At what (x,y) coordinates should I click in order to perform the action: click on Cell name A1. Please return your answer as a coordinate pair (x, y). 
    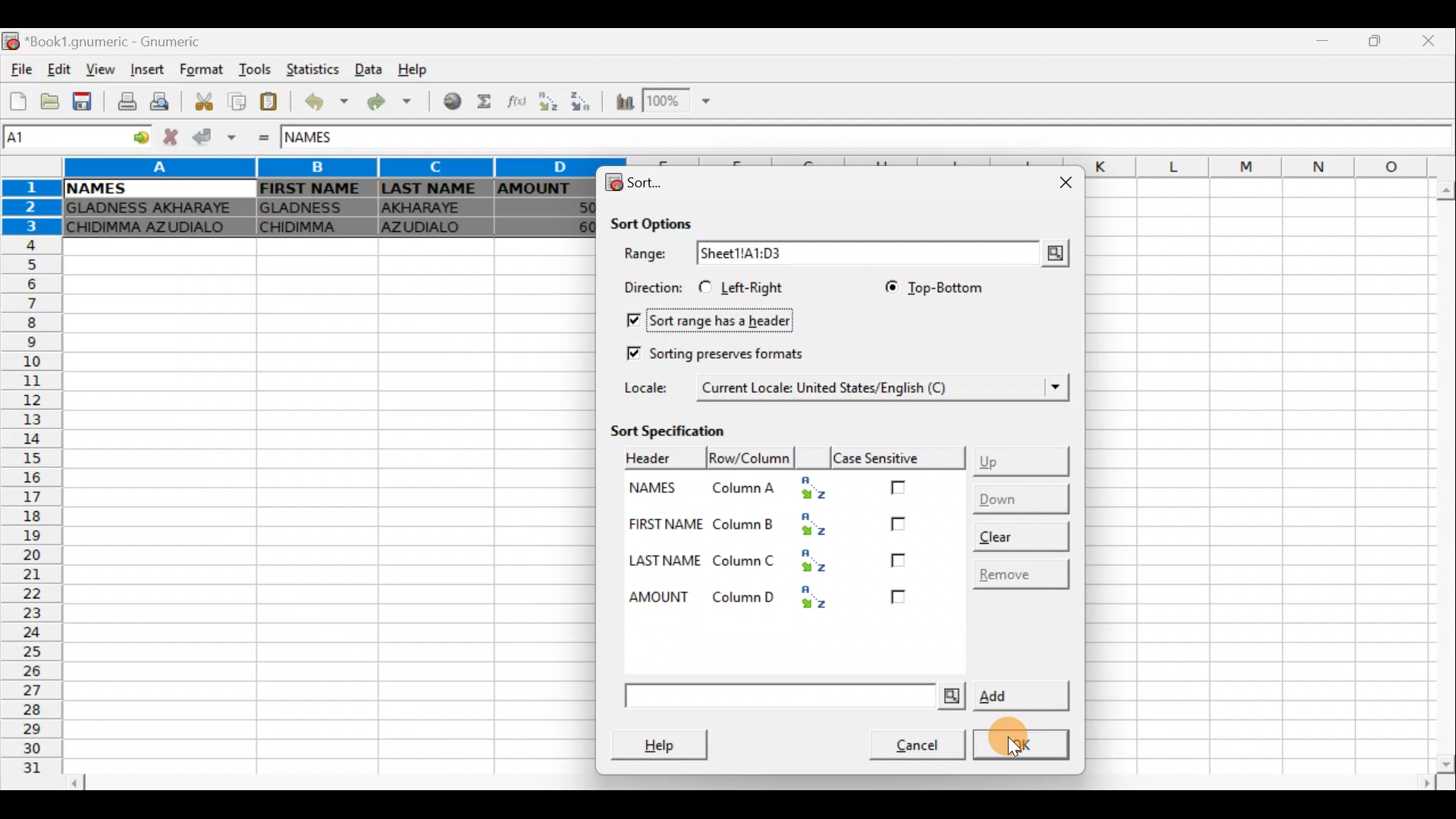
    Looking at the image, I should click on (60, 139).